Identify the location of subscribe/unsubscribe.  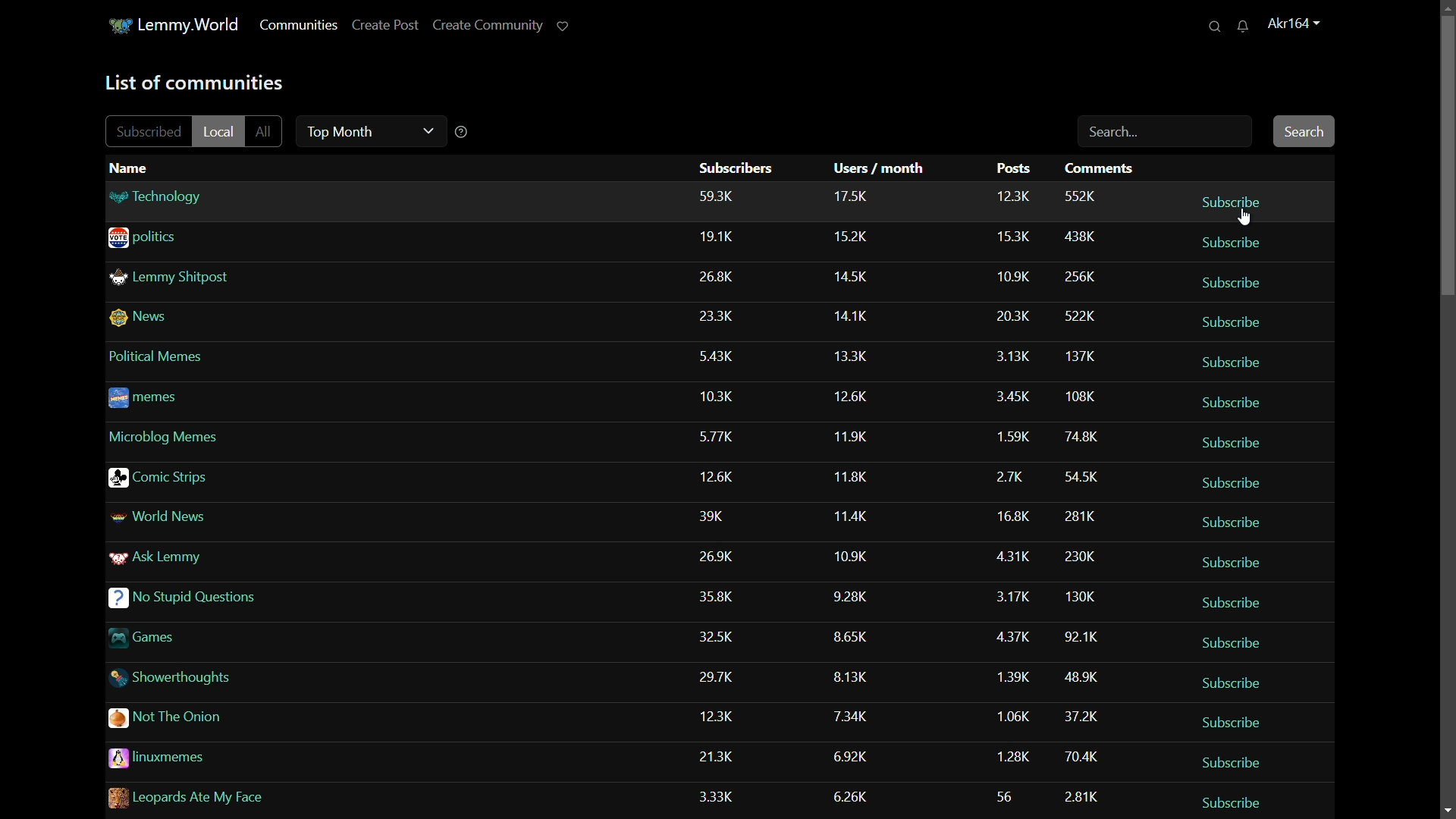
(1232, 522).